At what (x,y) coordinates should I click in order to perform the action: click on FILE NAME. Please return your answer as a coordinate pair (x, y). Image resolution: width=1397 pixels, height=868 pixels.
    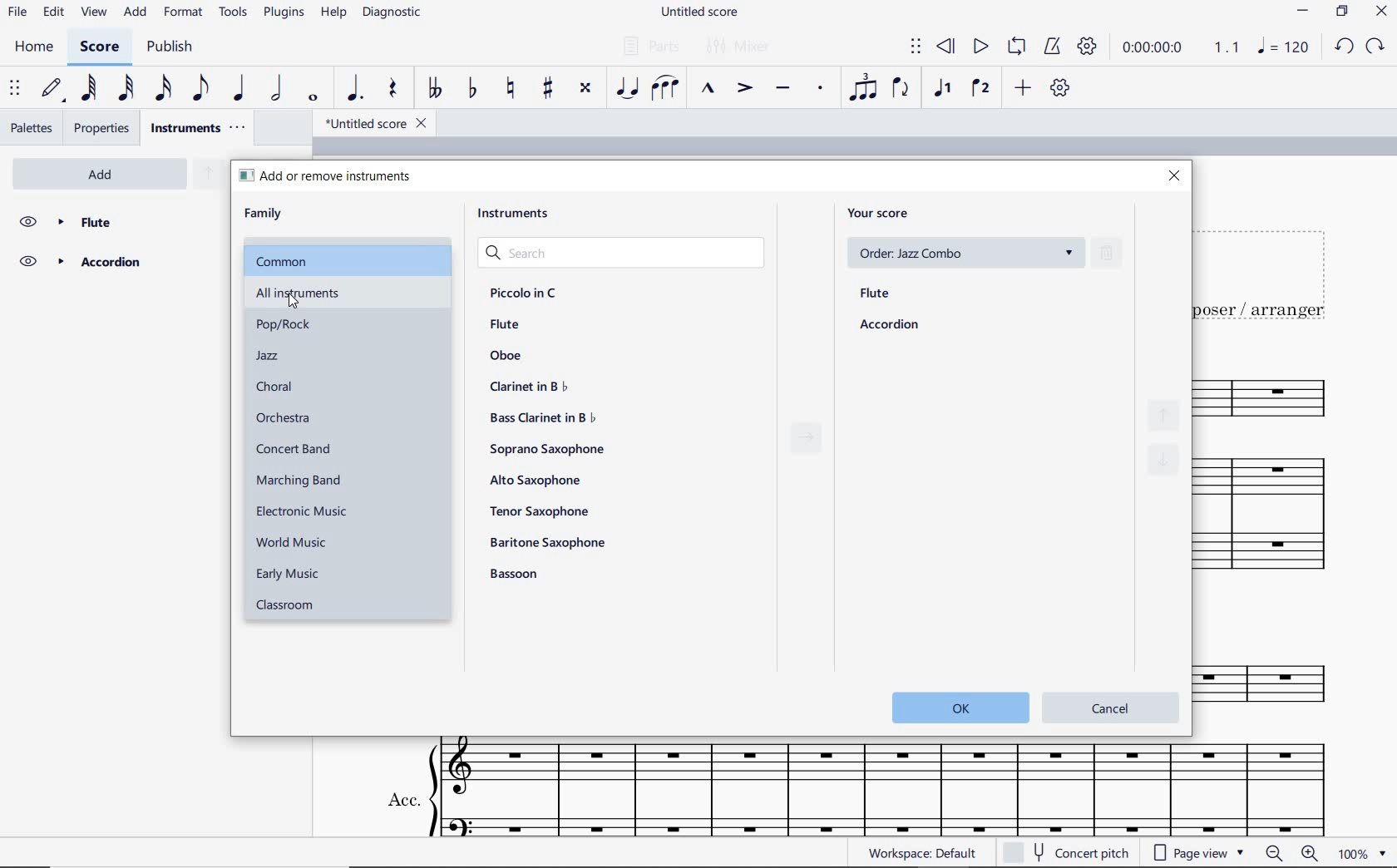
    Looking at the image, I should click on (698, 13).